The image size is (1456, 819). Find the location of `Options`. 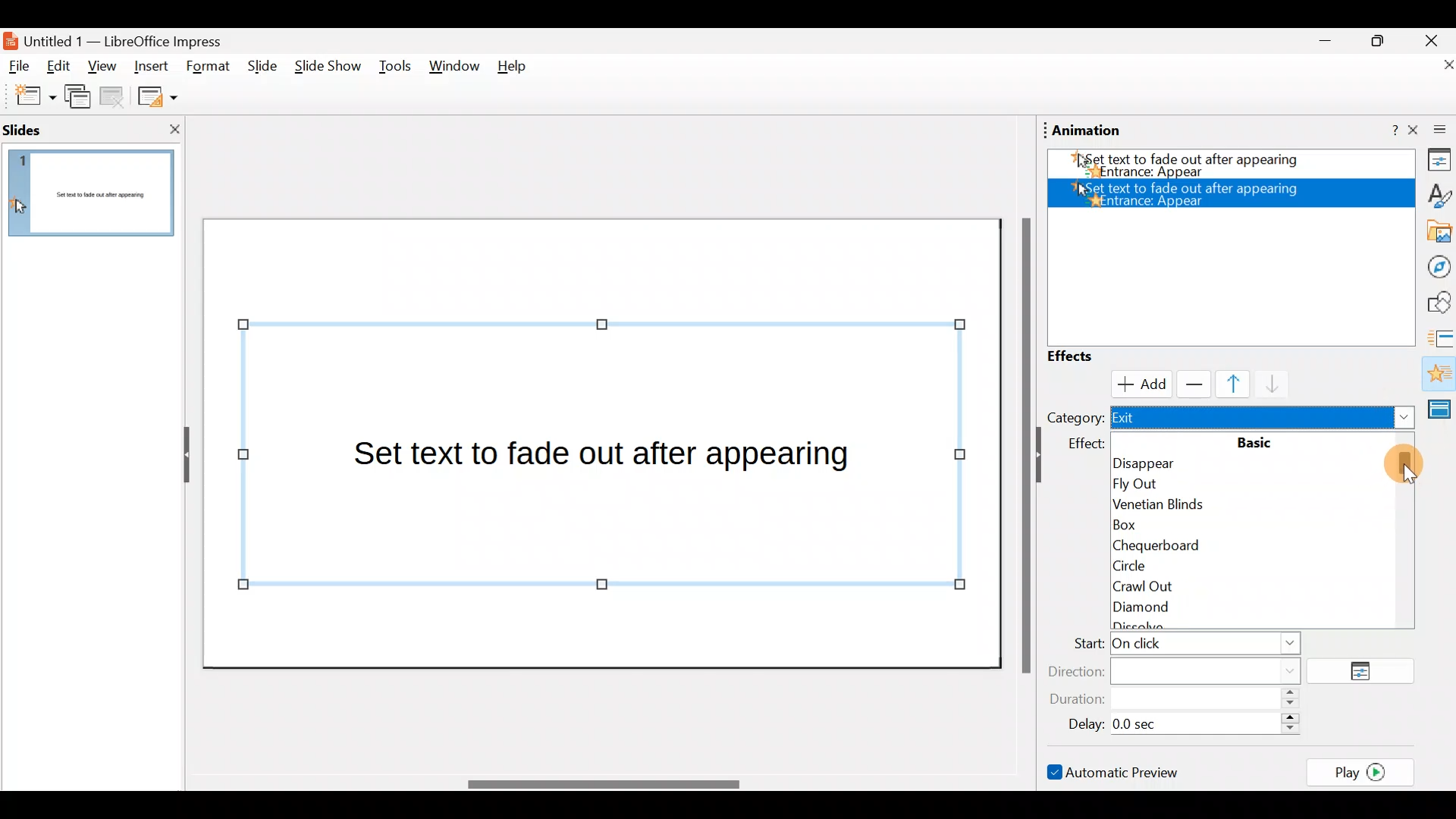

Options is located at coordinates (1367, 672).